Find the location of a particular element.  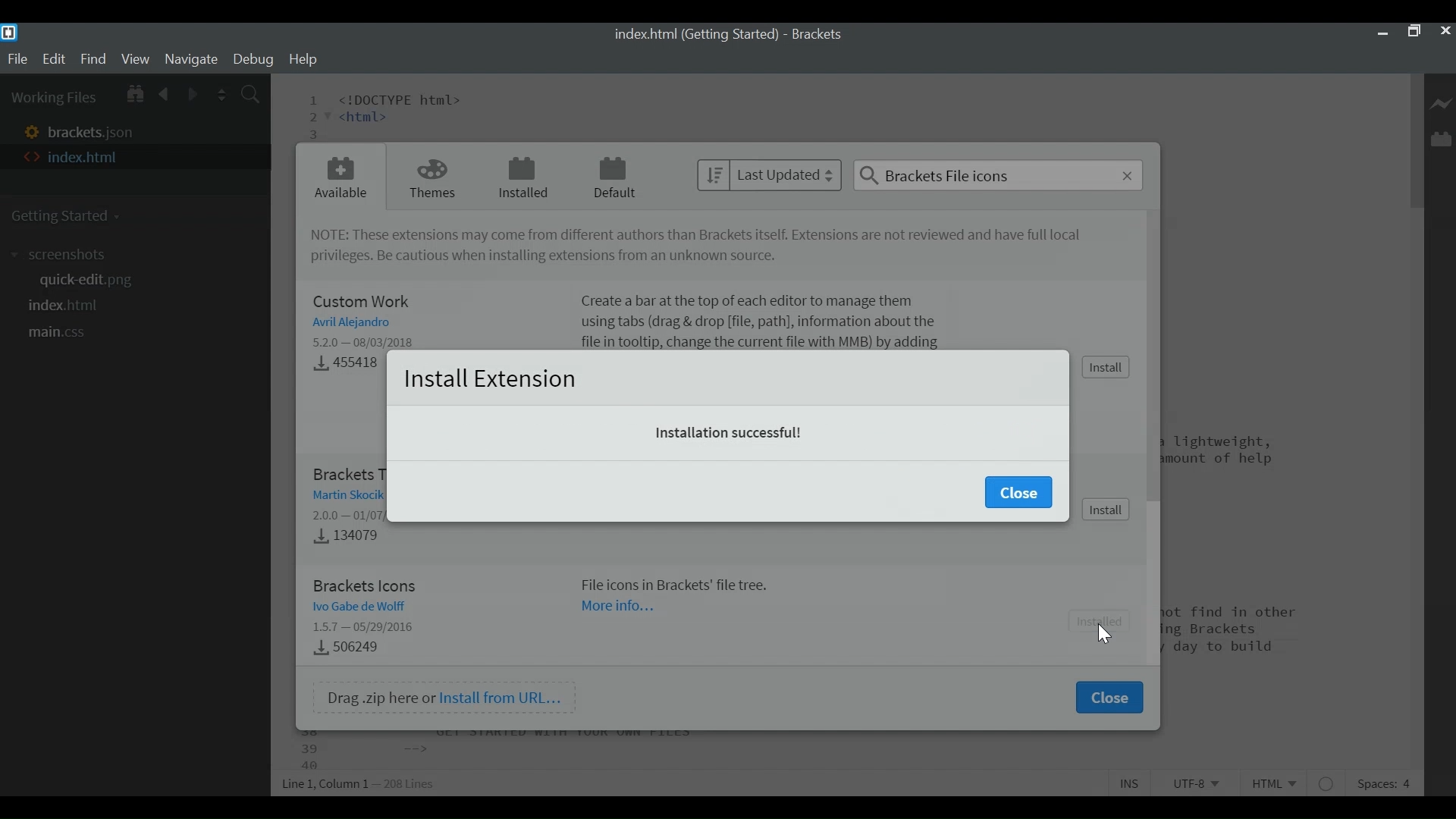

quickedit.png is located at coordinates (85, 281).